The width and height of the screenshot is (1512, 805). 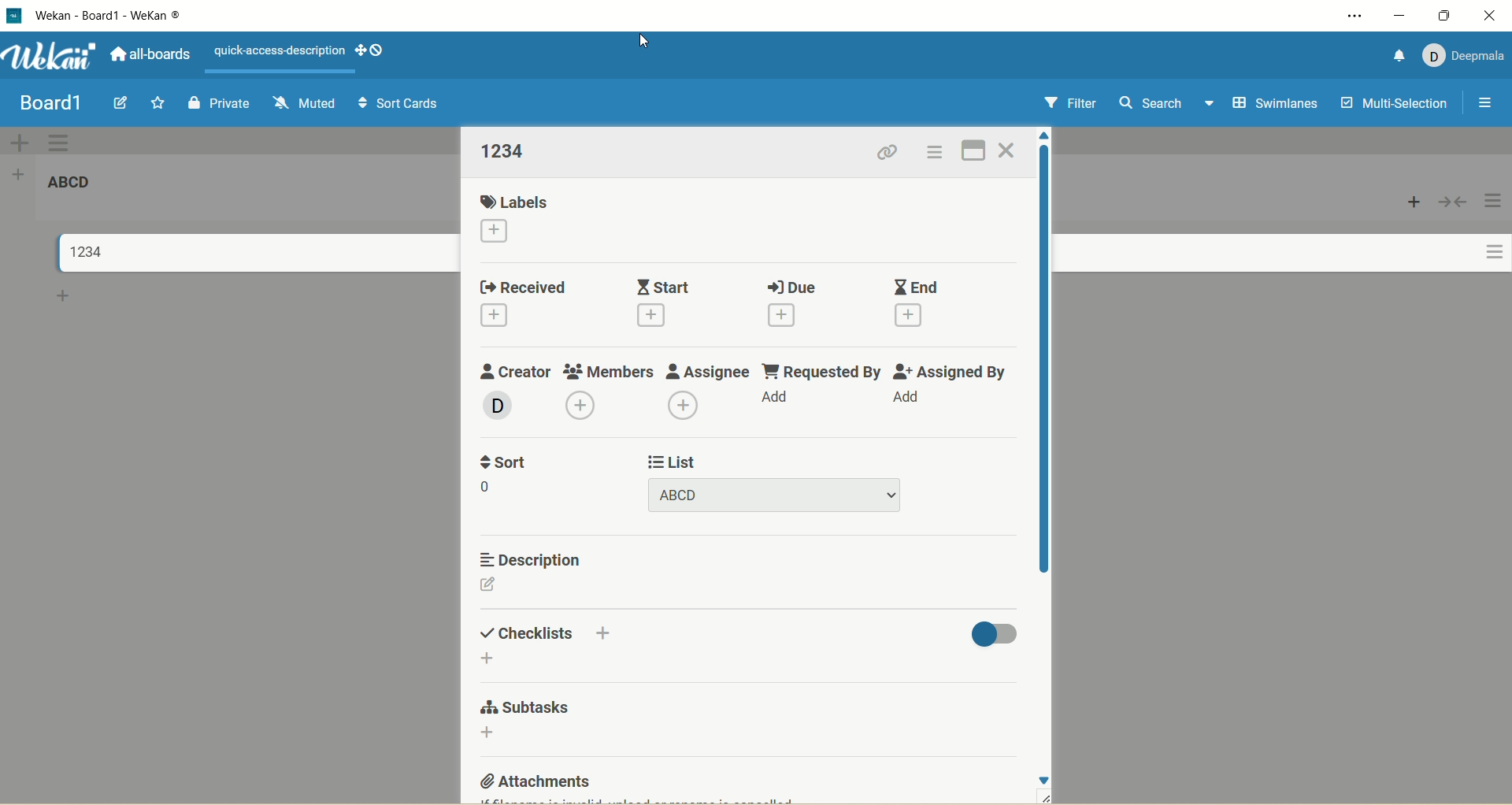 I want to click on wekan, so click(x=50, y=57).